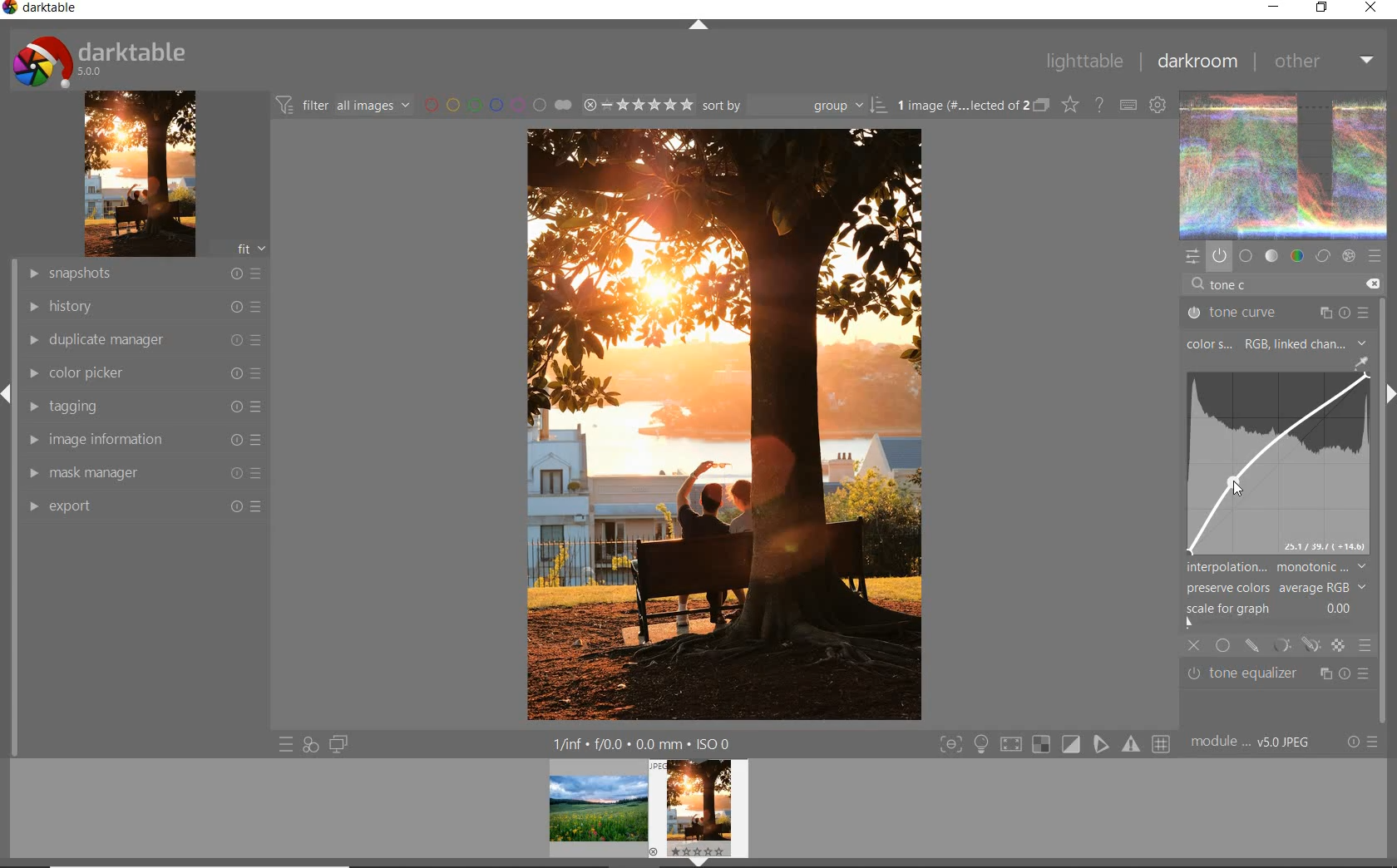  Describe the element at coordinates (139, 273) in the screenshot. I see `snapshots` at that location.